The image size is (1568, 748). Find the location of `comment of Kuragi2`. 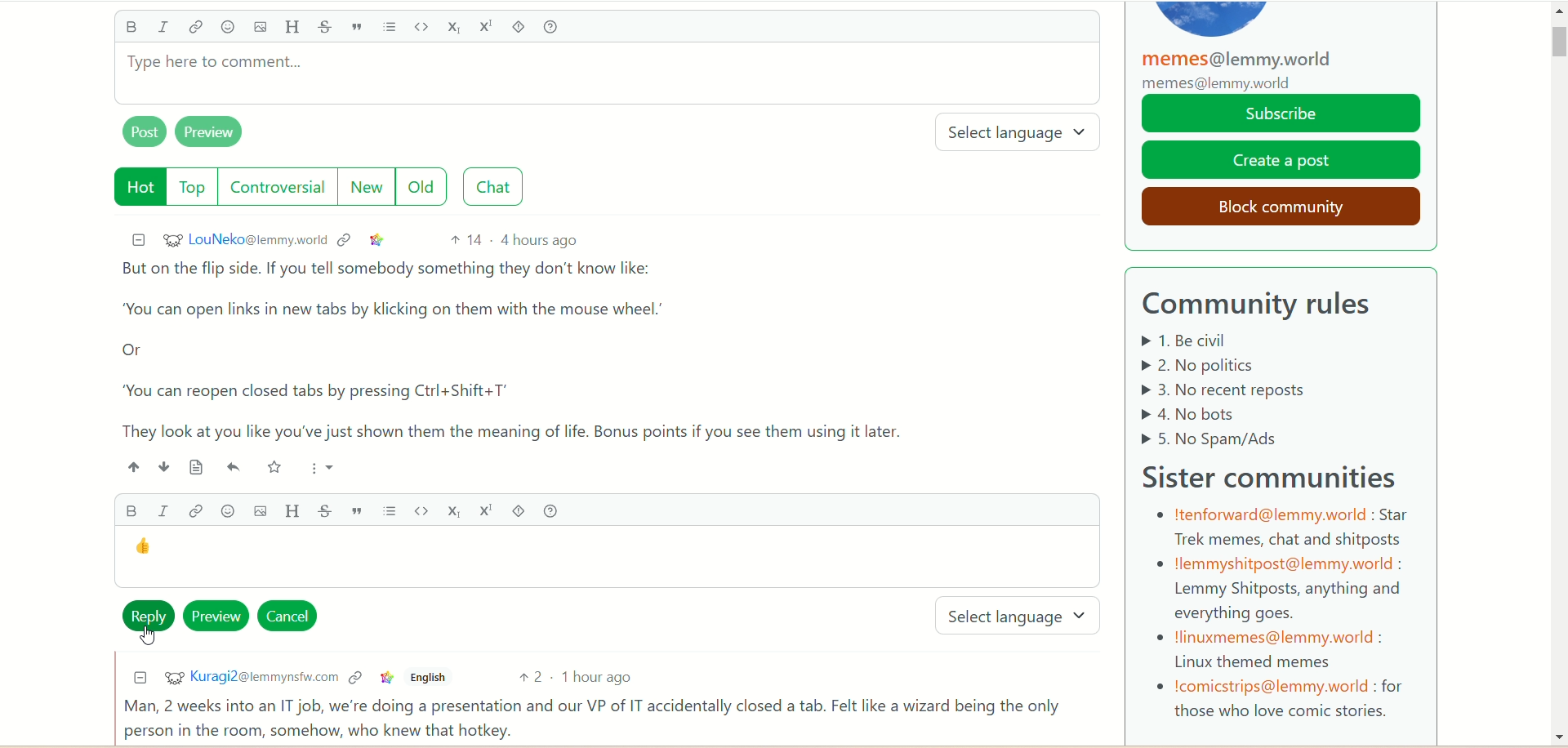

comment of Kuragi2 is located at coordinates (599, 719).